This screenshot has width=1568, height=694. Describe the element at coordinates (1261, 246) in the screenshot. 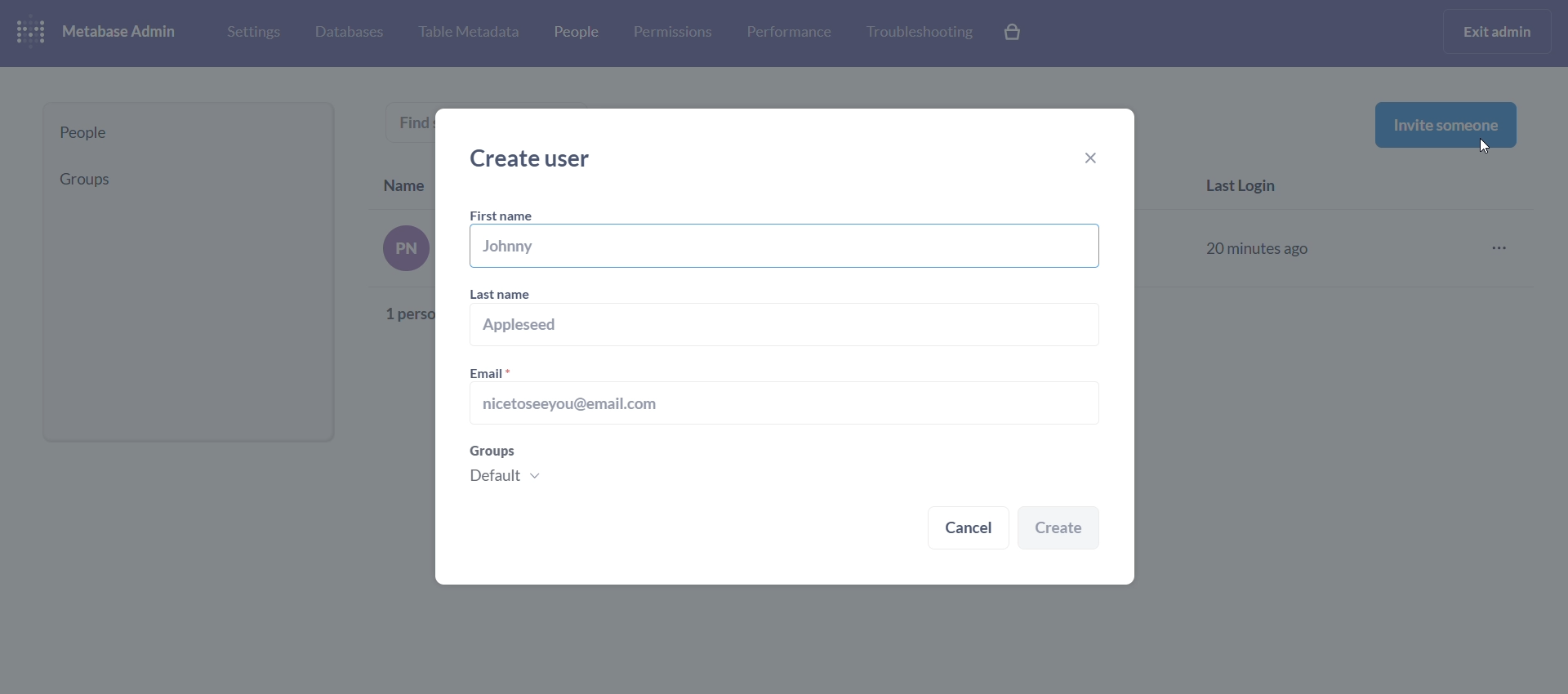

I see `20 minutes ago` at that location.